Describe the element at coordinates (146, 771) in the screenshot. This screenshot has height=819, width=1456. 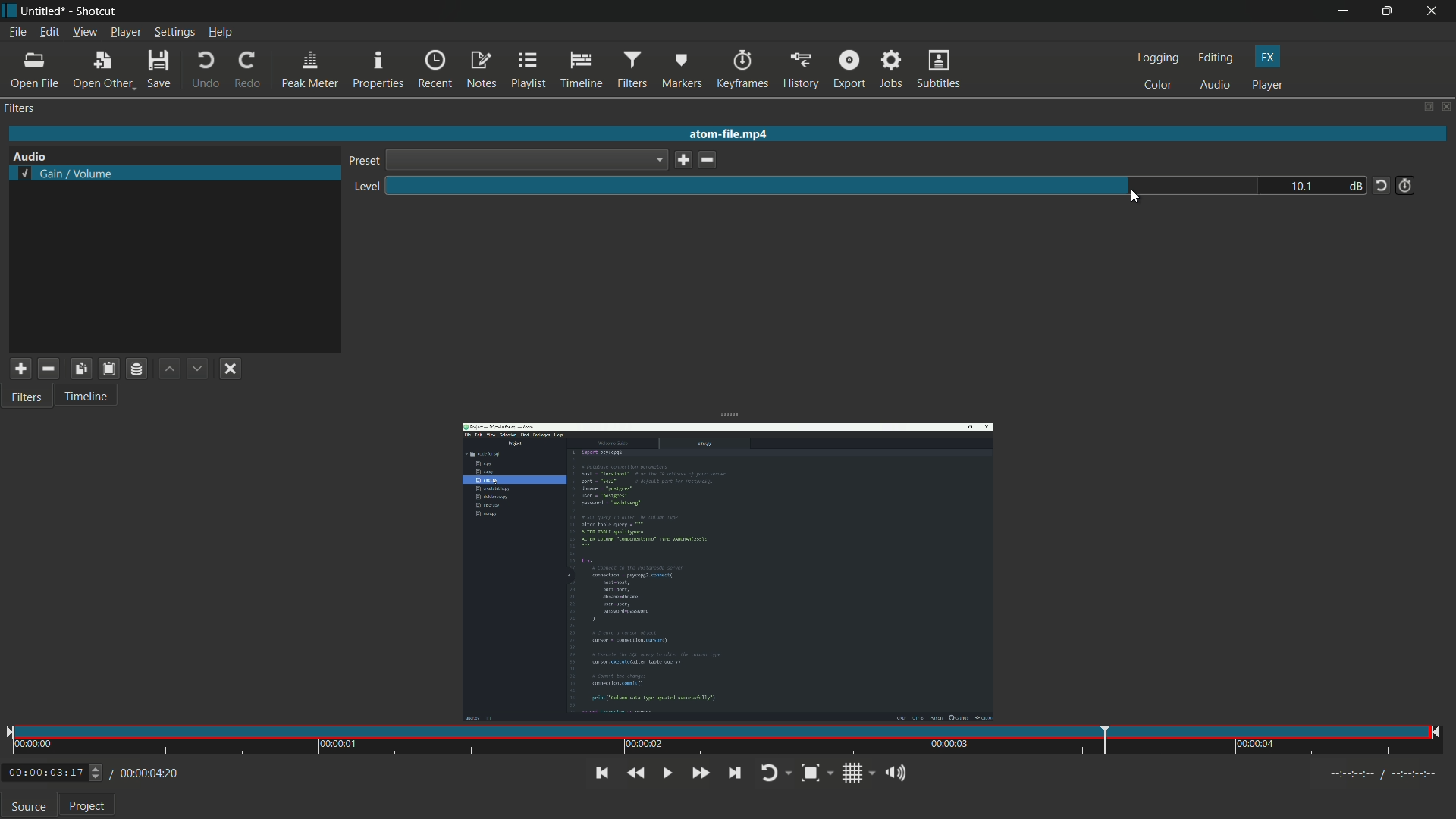
I see `/00:00:04:20(total time)` at that location.